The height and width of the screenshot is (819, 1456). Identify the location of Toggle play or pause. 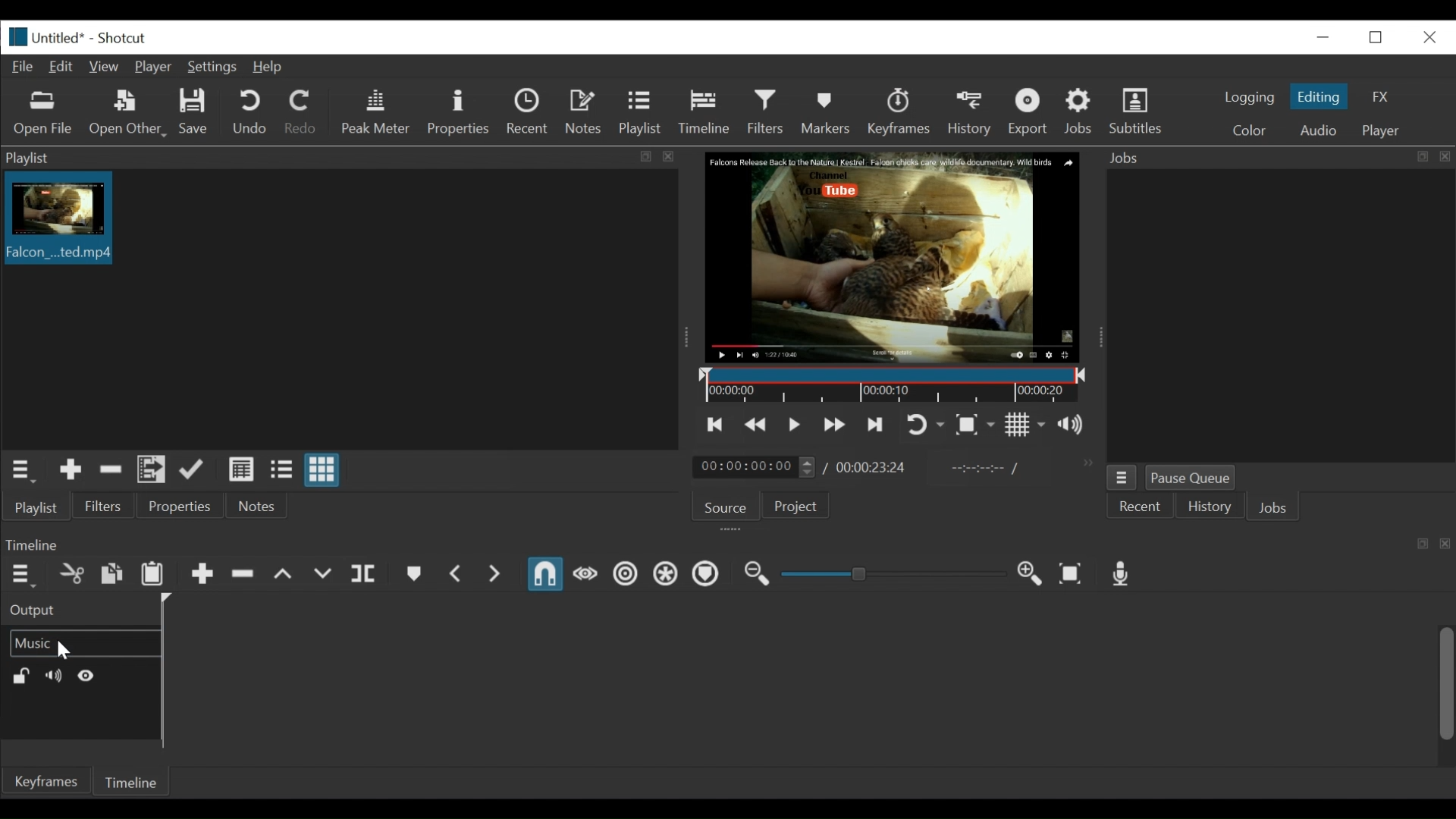
(795, 425).